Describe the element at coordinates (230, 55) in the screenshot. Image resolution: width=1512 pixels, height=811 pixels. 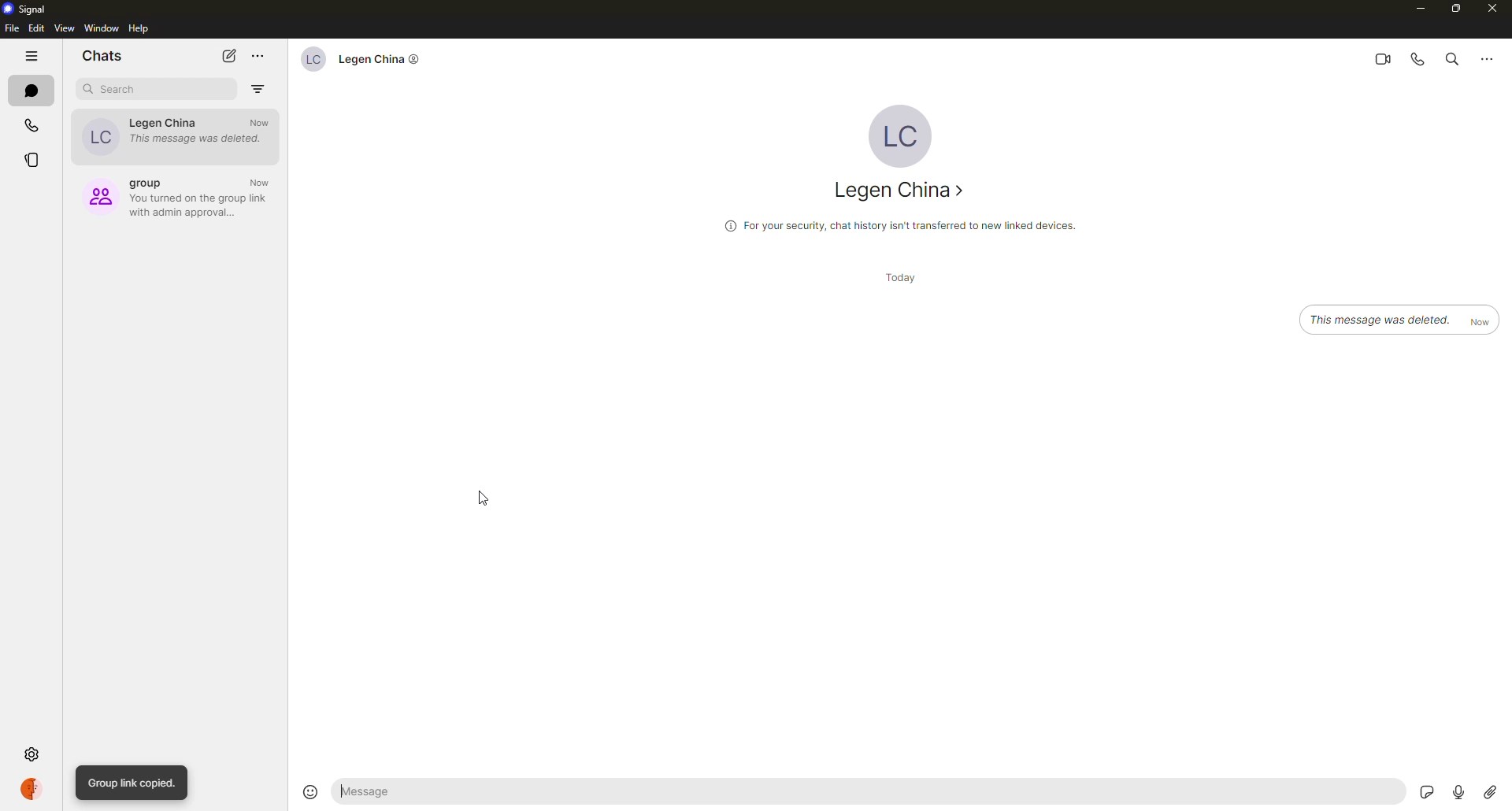
I see `new chat` at that location.